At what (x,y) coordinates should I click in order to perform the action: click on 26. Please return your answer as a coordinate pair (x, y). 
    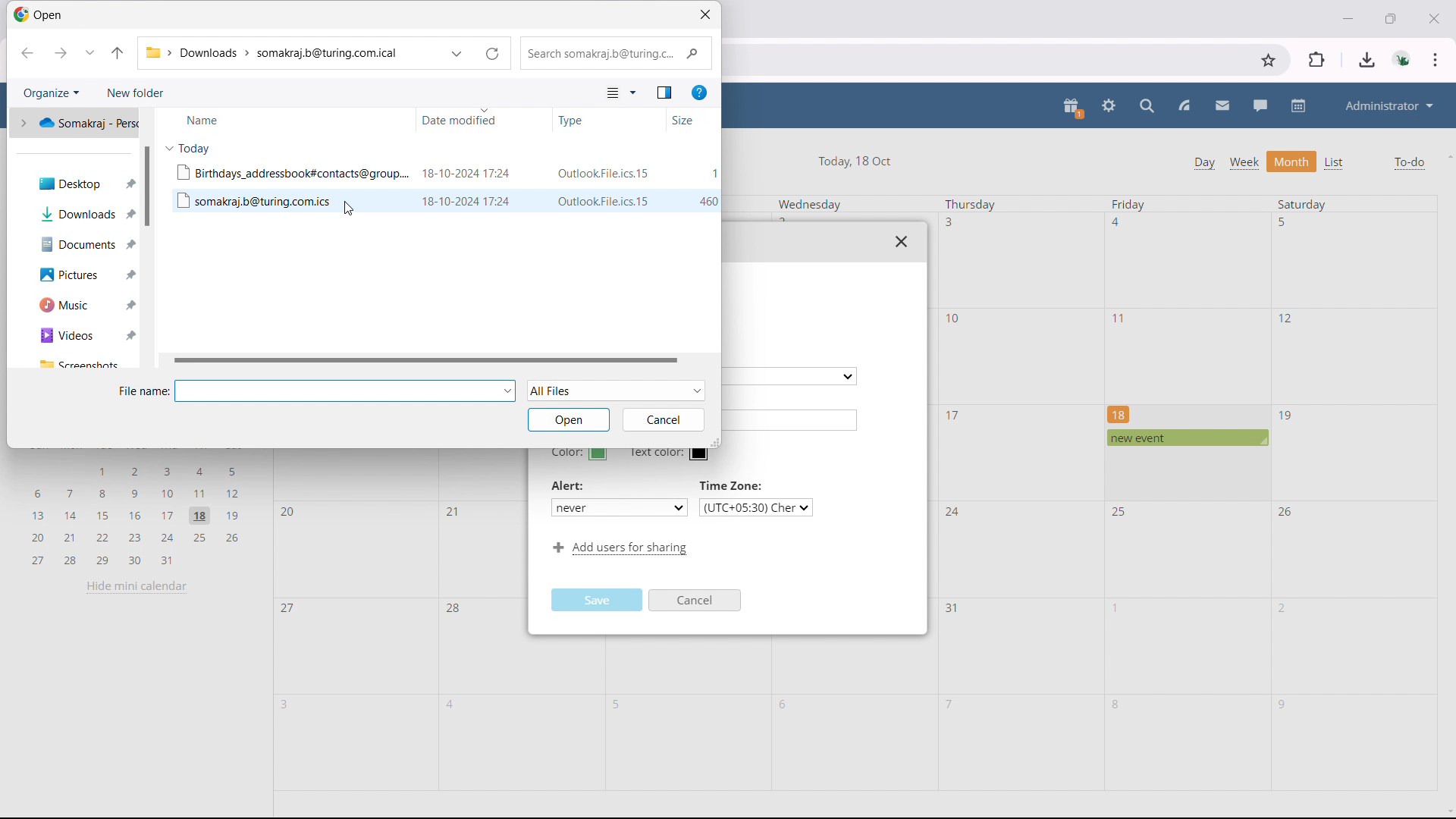
    Looking at the image, I should click on (1287, 510).